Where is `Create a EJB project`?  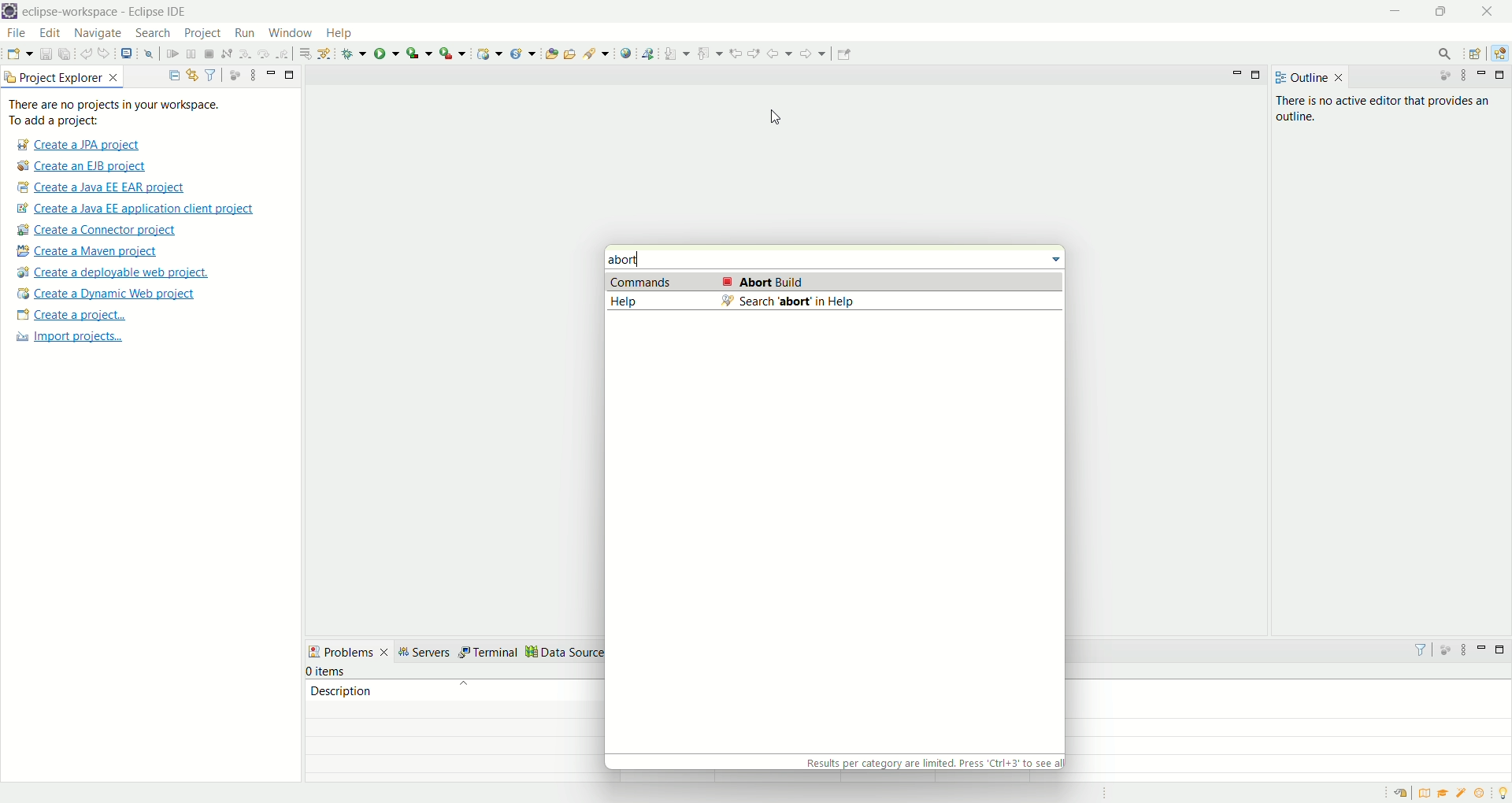
Create a EJB project is located at coordinates (84, 168).